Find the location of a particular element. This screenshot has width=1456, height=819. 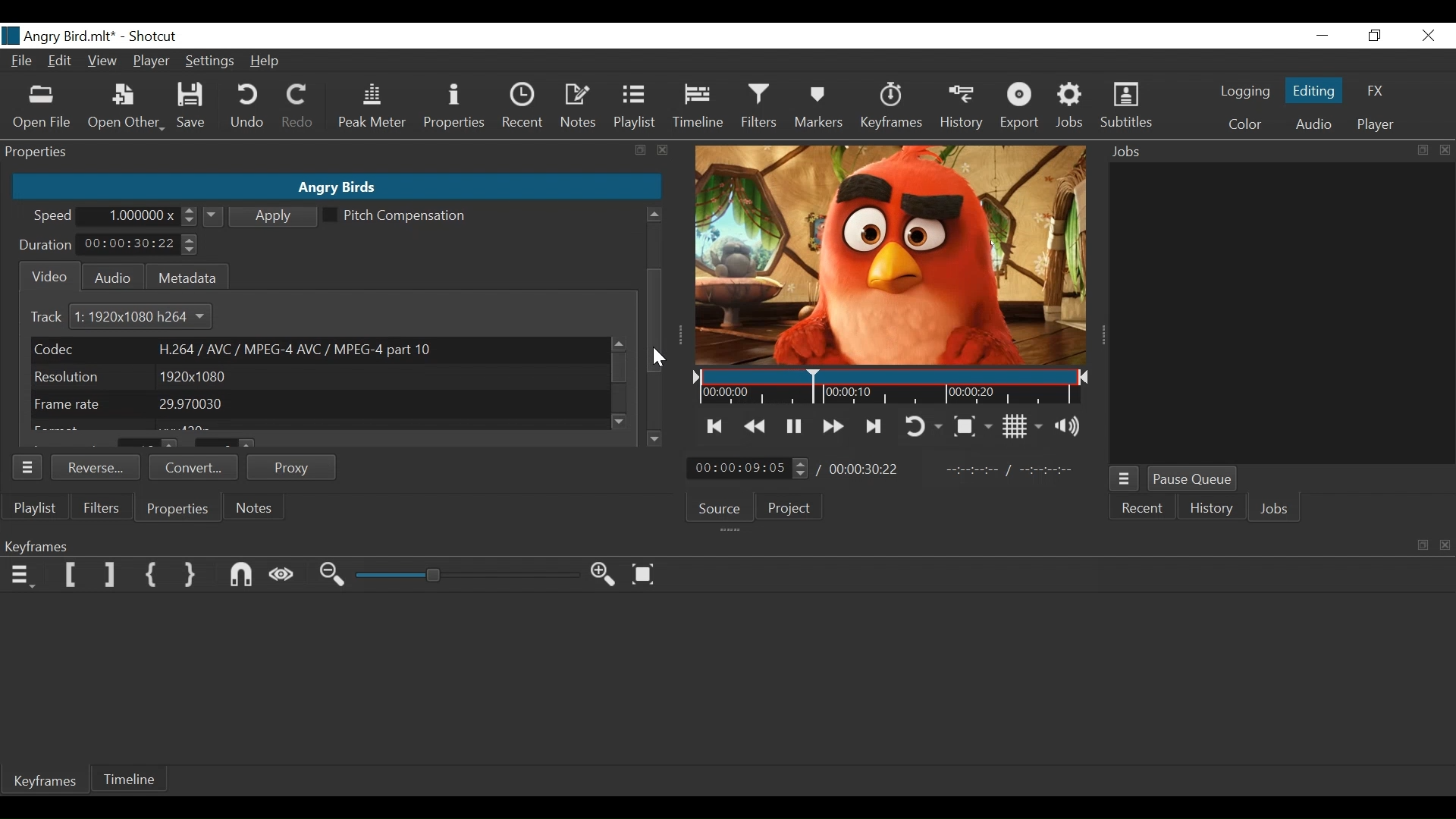

Recent is located at coordinates (521, 107).